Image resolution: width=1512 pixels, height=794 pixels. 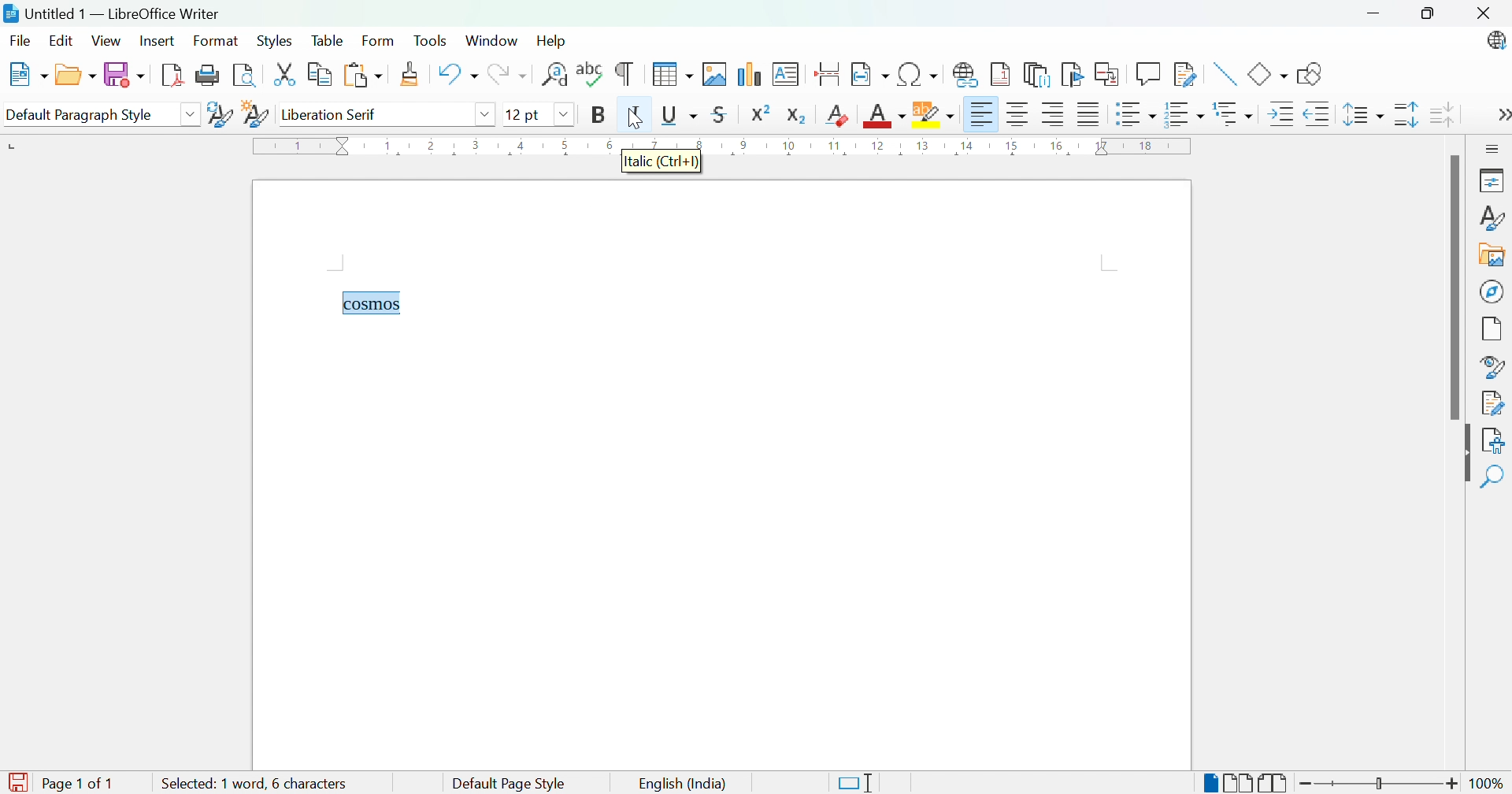 What do you see at coordinates (366, 307) in the screenshot?
I see `Typing cursor` at bounding box center [366, 307].